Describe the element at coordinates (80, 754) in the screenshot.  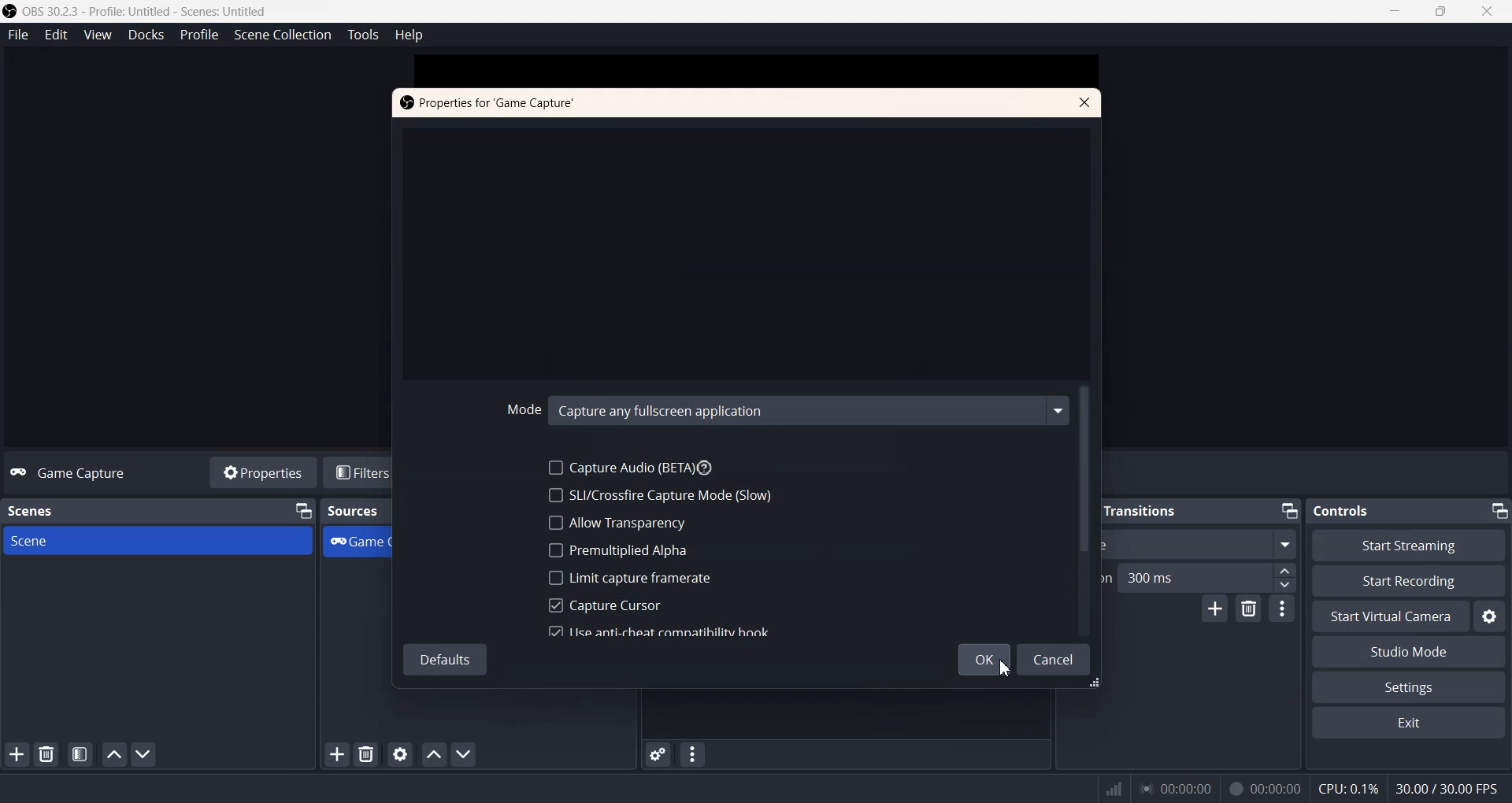
I see `Open Scene Filter` at that location.